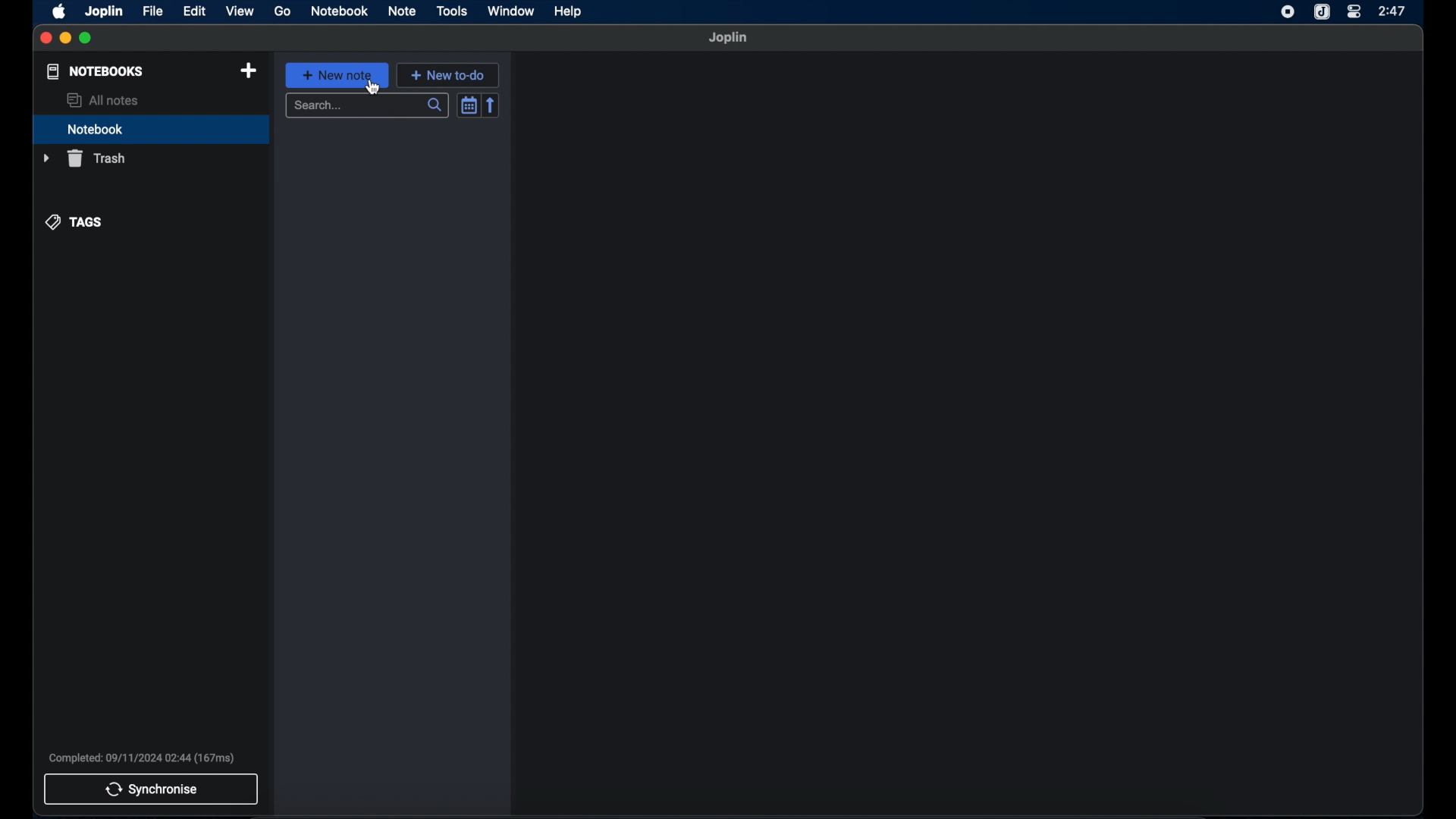 This screenshot has width=1456, height=819. Describe the element at coordinates (195, 11) in the screenshot. I see `edit` at that location.